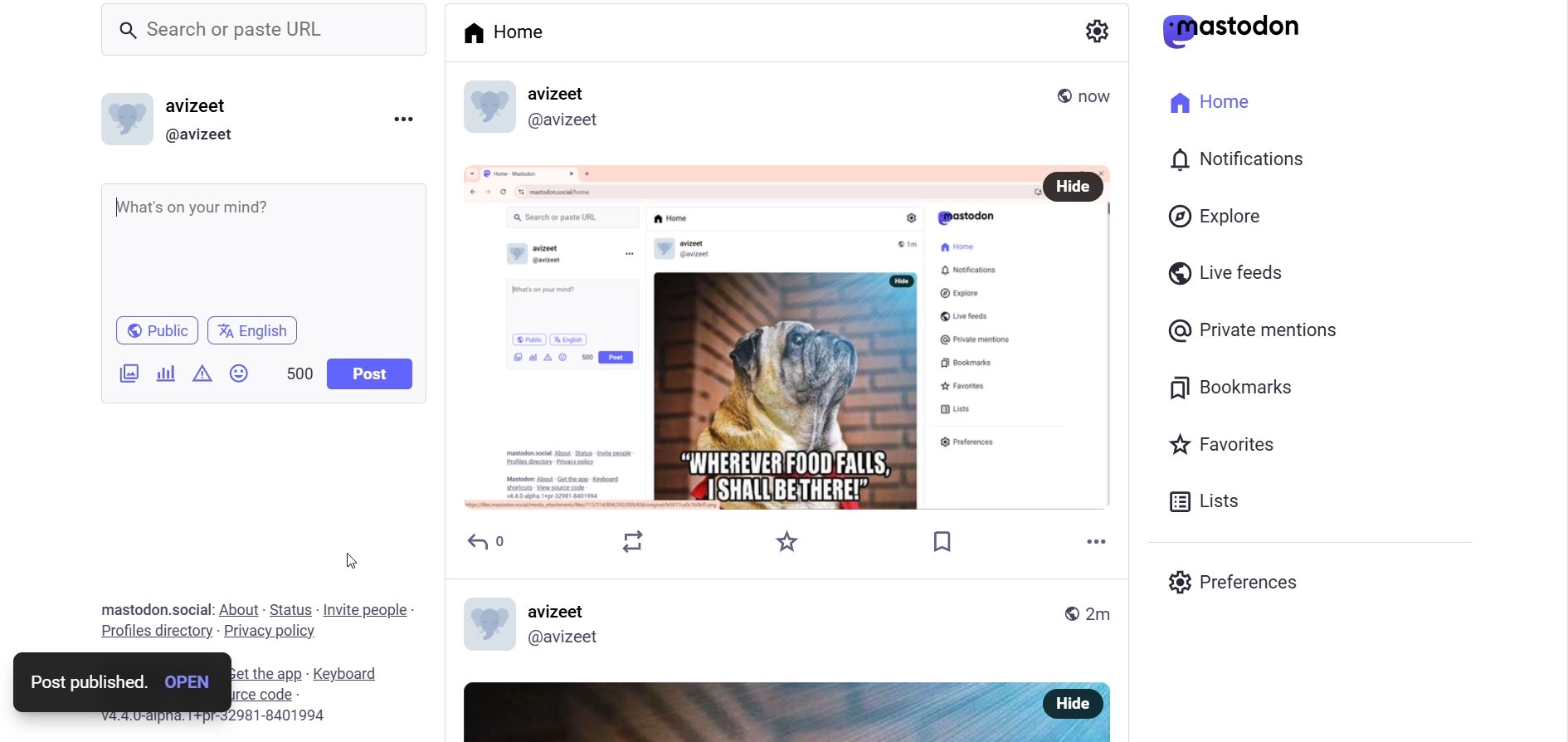 This screenshot has height=742, width=1568. Describe the element at coordinates (741, 706) in the screenshot. I see `other image` at that location.